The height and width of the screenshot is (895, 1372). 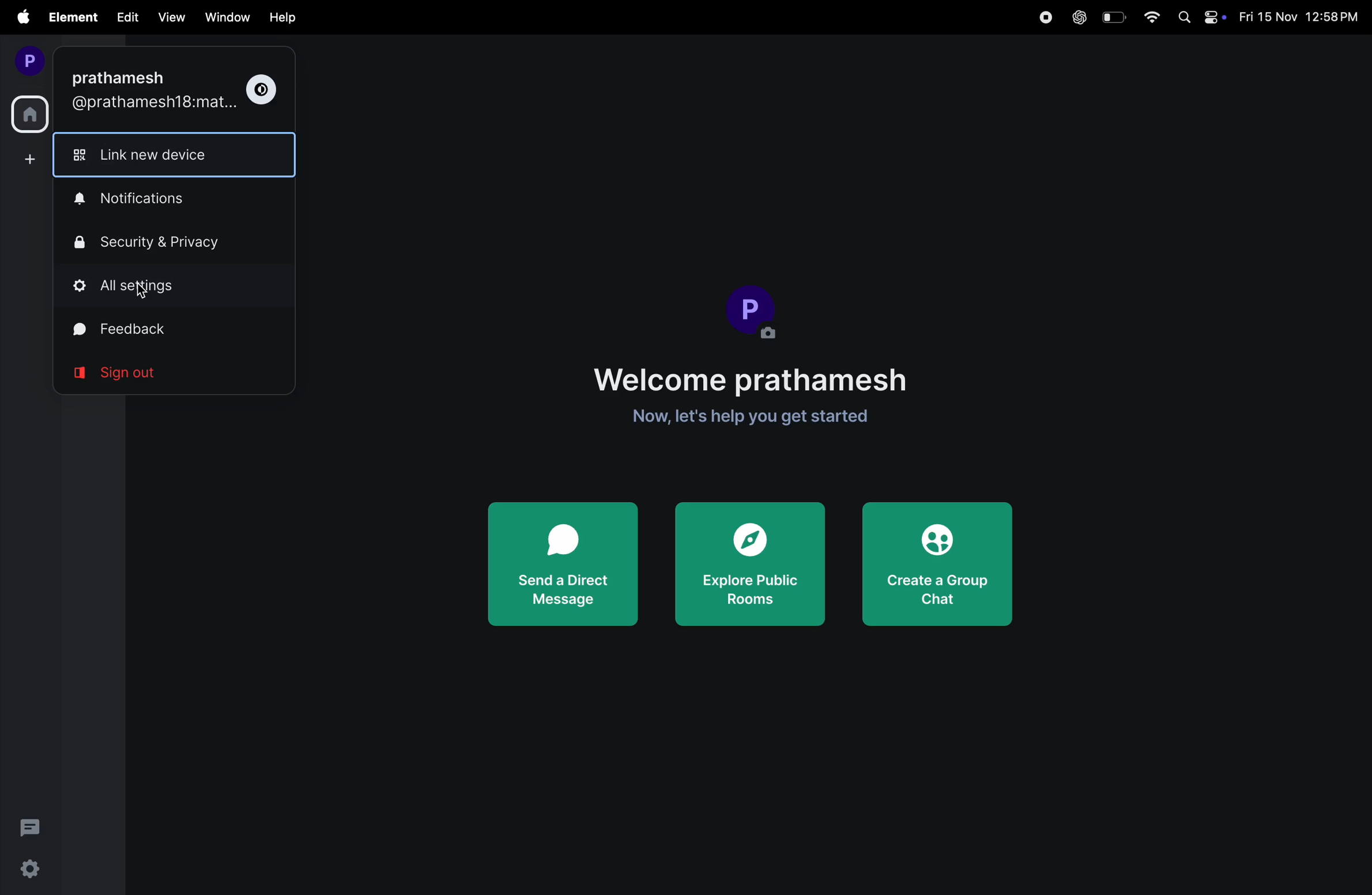 I want to click on apple menu, so click(x=22, y=17).